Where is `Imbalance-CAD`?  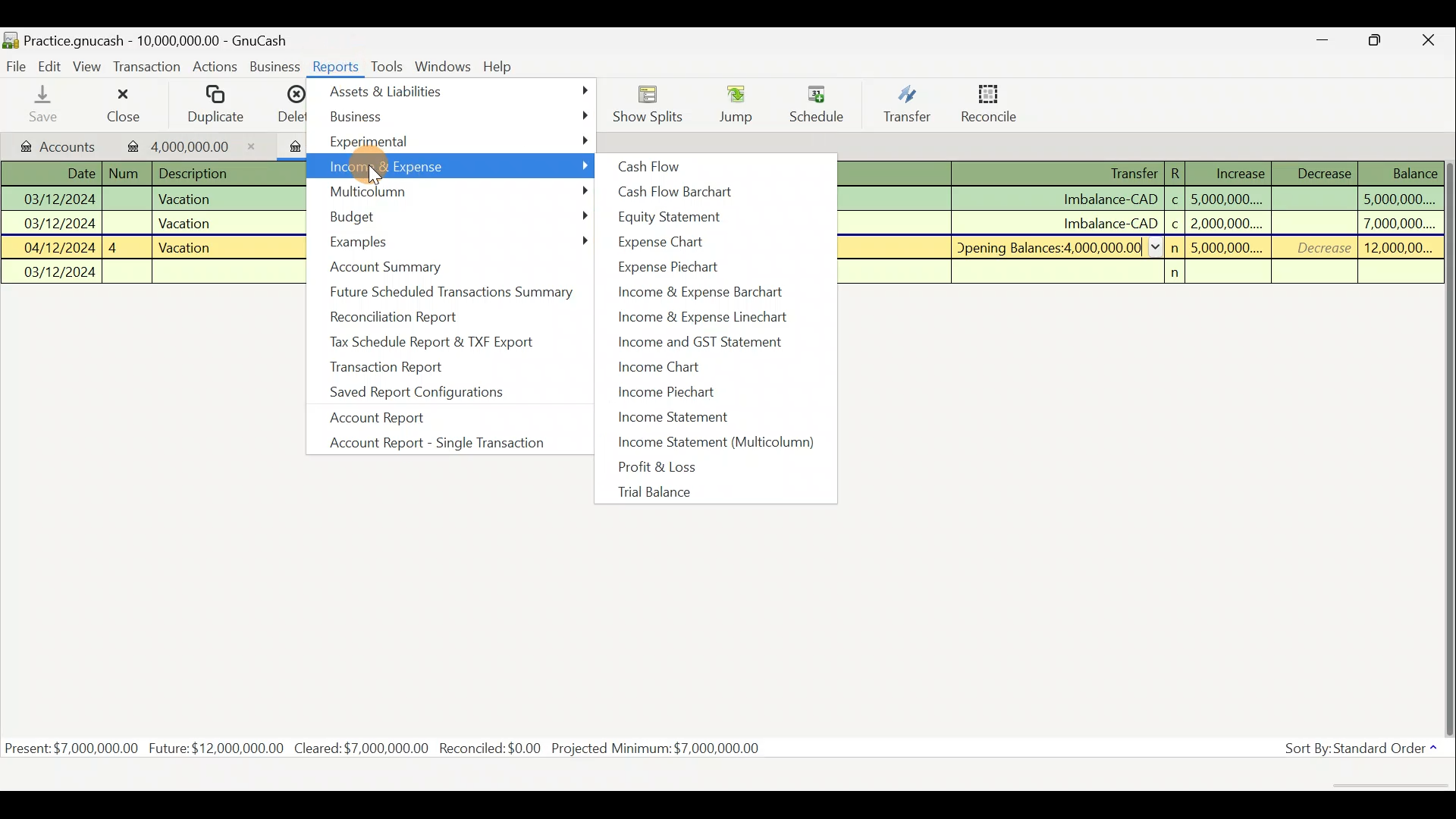 Imbalance-CAD is located at coordinates (1110, 199).